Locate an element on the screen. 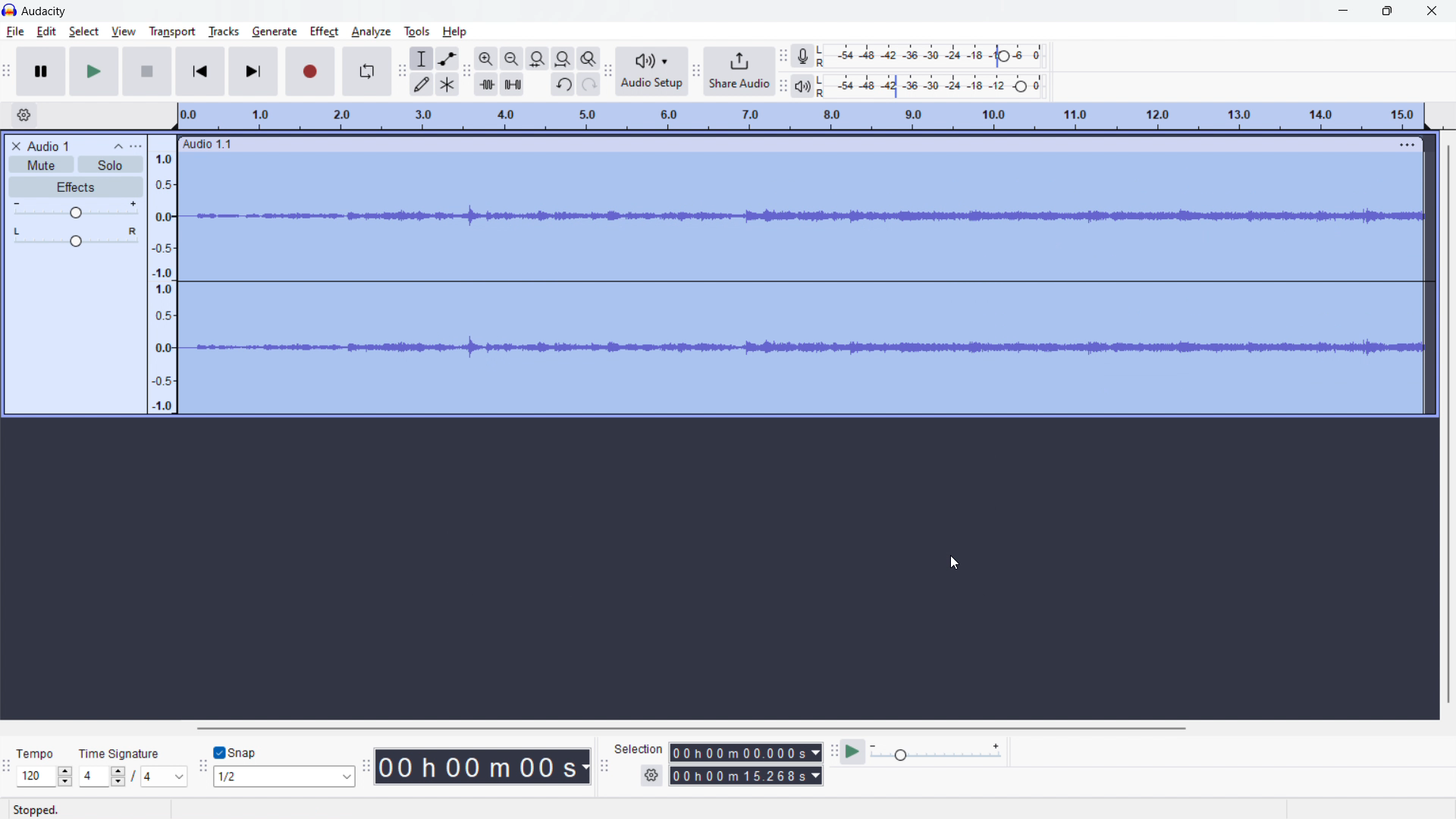 The image size is (1456, 819). 4/4 (set time signature) is located at coordinates (133, 777).